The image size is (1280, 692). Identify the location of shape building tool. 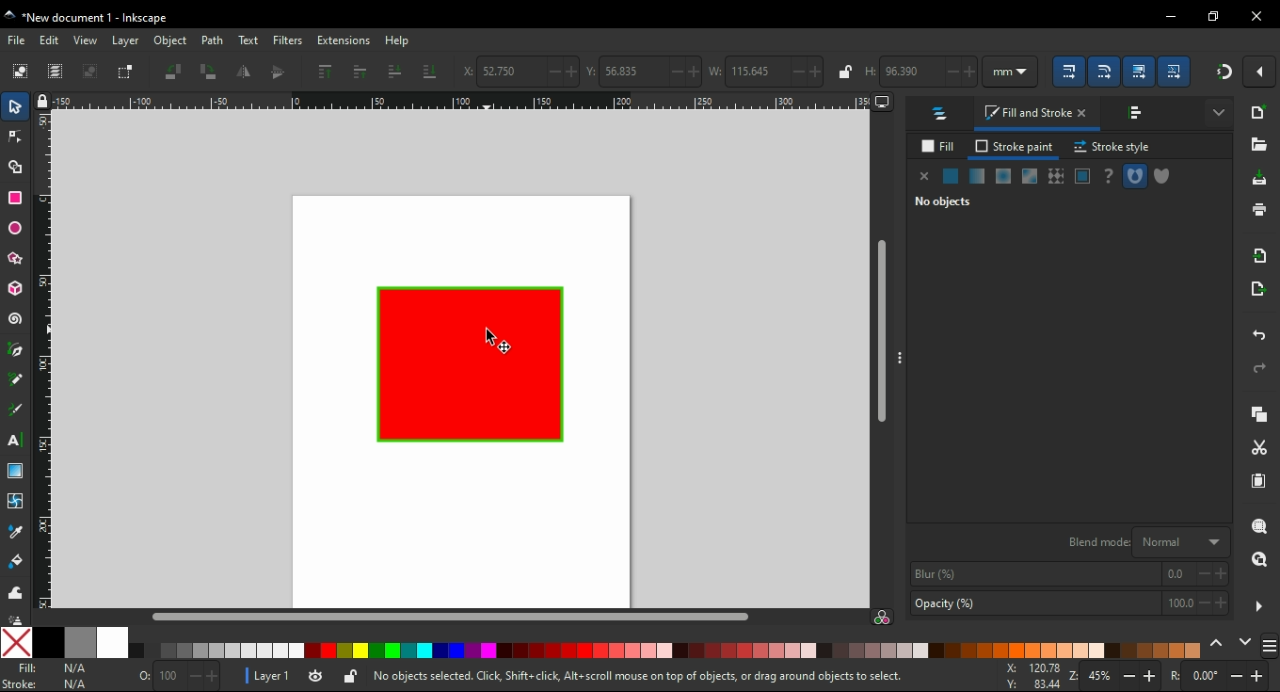
(15, 166).